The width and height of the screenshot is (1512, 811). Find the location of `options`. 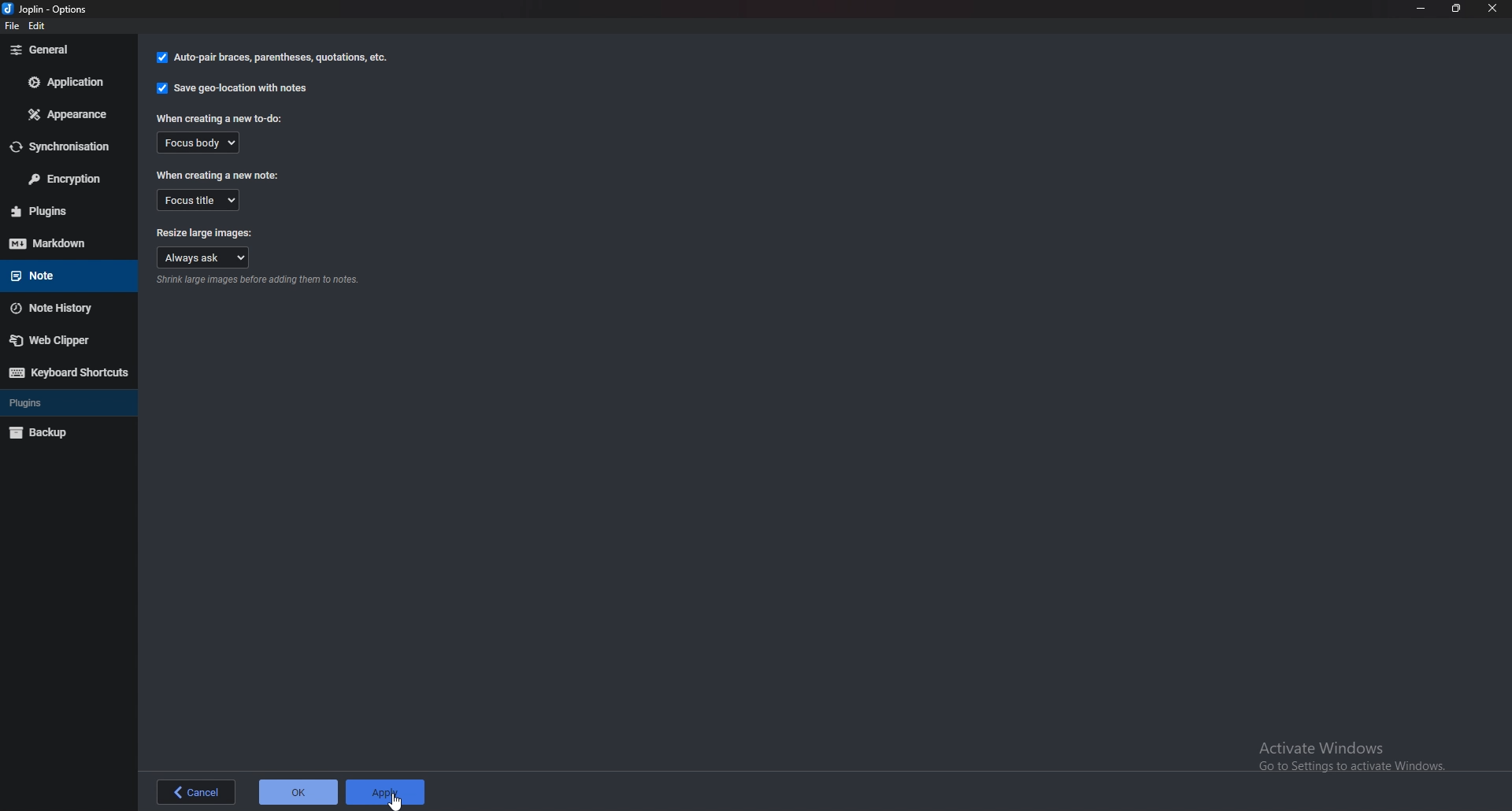

options is located at coordinates (50, 10).